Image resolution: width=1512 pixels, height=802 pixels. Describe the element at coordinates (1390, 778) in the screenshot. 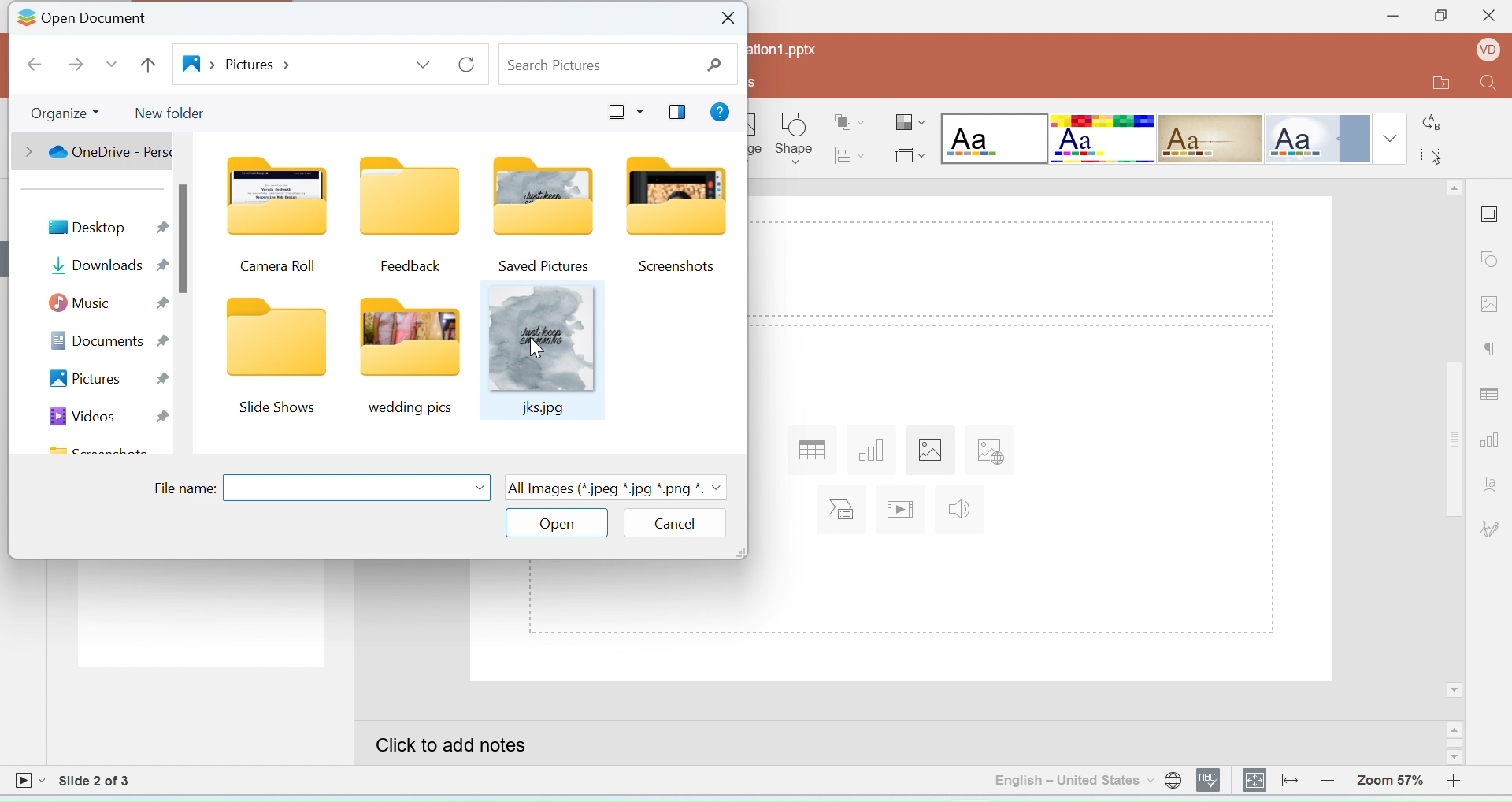

I see `Zoom` at that location.